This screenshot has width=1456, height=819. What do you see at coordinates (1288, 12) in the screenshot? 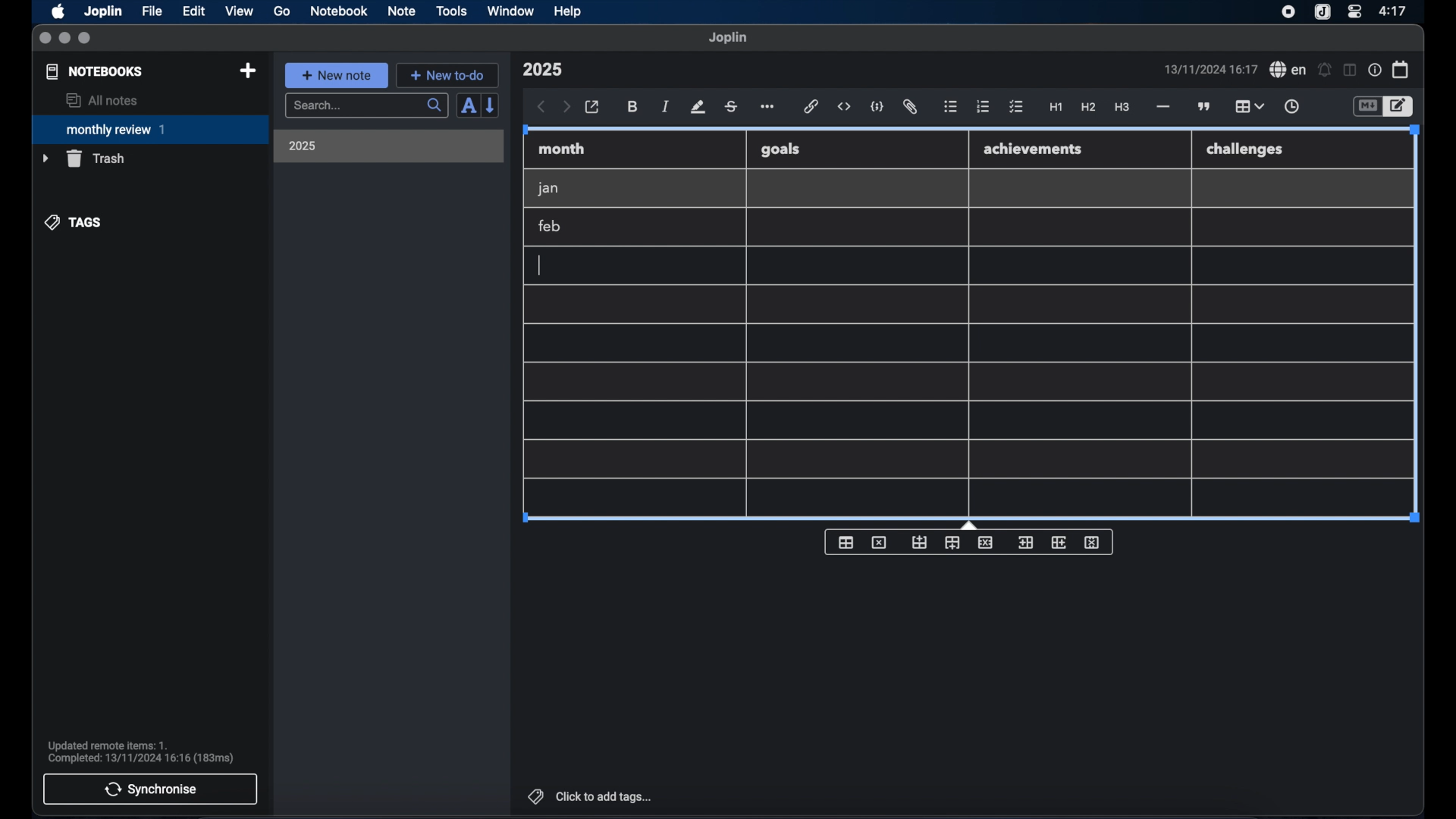
I see `screen recorder icon` at bounding box center [1288, 12].